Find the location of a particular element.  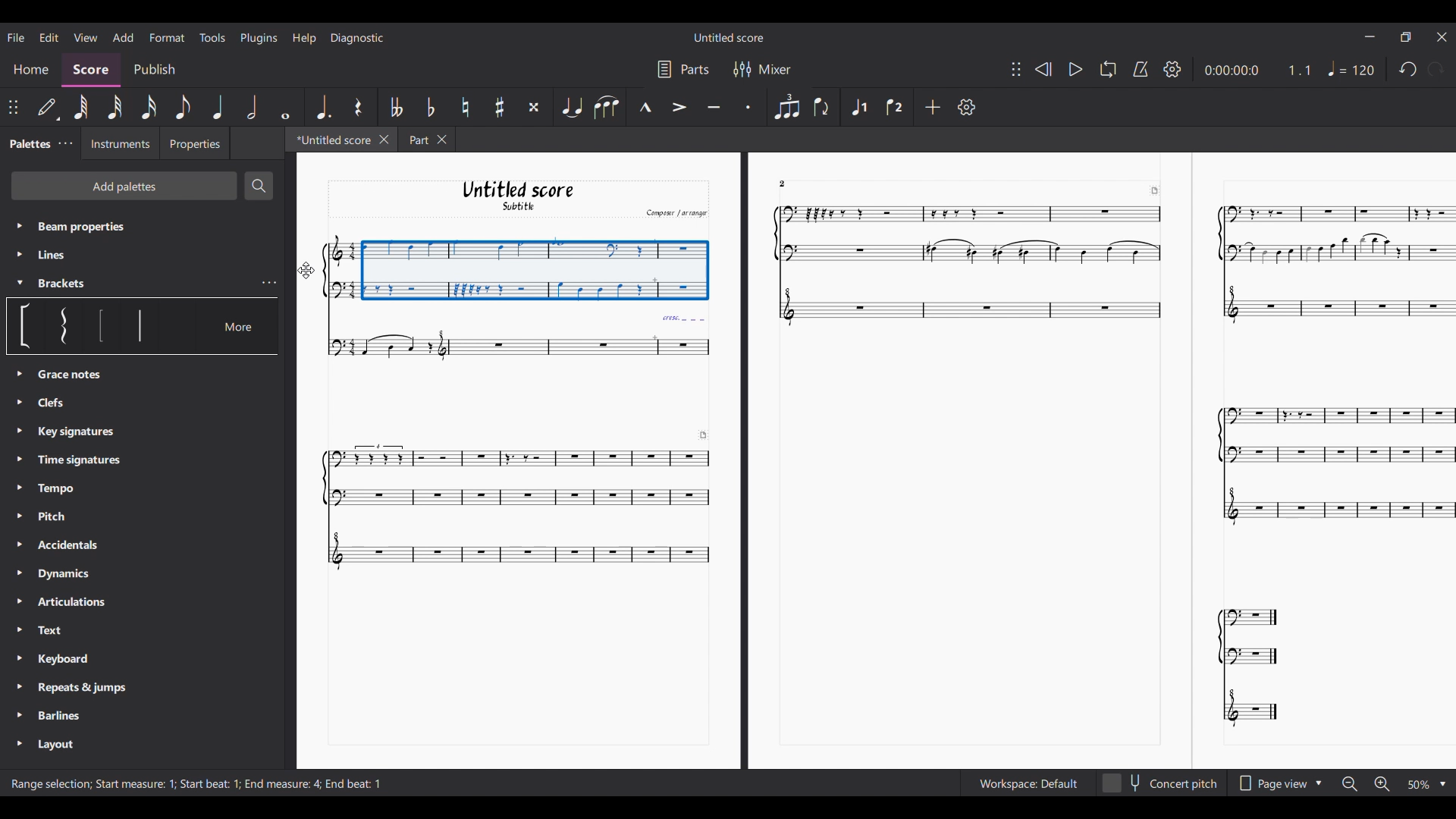

 is located at coordinates (522, 478).